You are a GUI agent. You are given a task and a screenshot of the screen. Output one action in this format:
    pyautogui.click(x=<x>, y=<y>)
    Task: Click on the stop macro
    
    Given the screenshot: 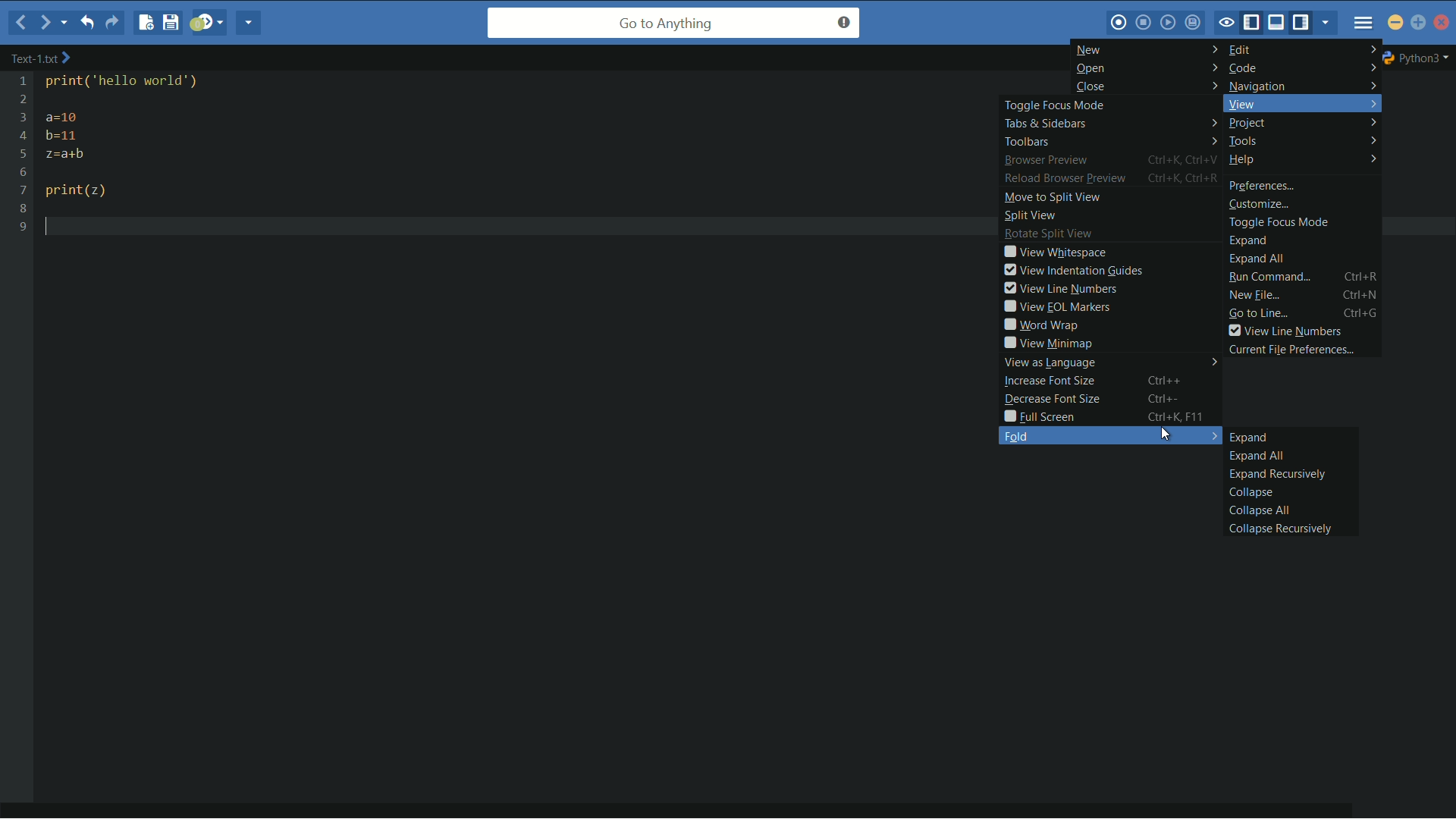 What is the action you would take?
    pyautogui.click(x=1145, y=24)
    